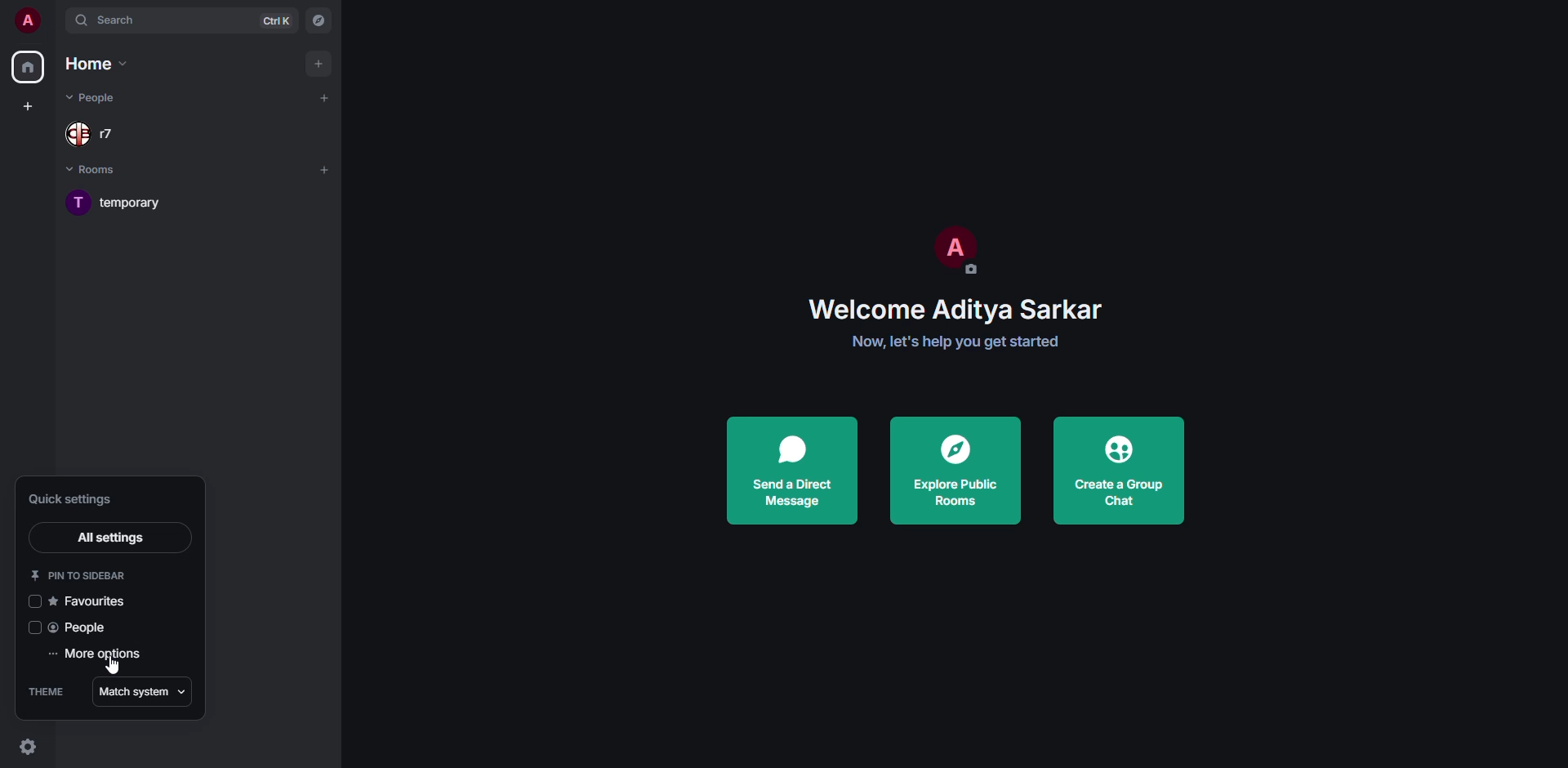 The image size is (1568, 768). Describe the element at coordinates (44, 693) in the screenshot. I see `theme` at that location.